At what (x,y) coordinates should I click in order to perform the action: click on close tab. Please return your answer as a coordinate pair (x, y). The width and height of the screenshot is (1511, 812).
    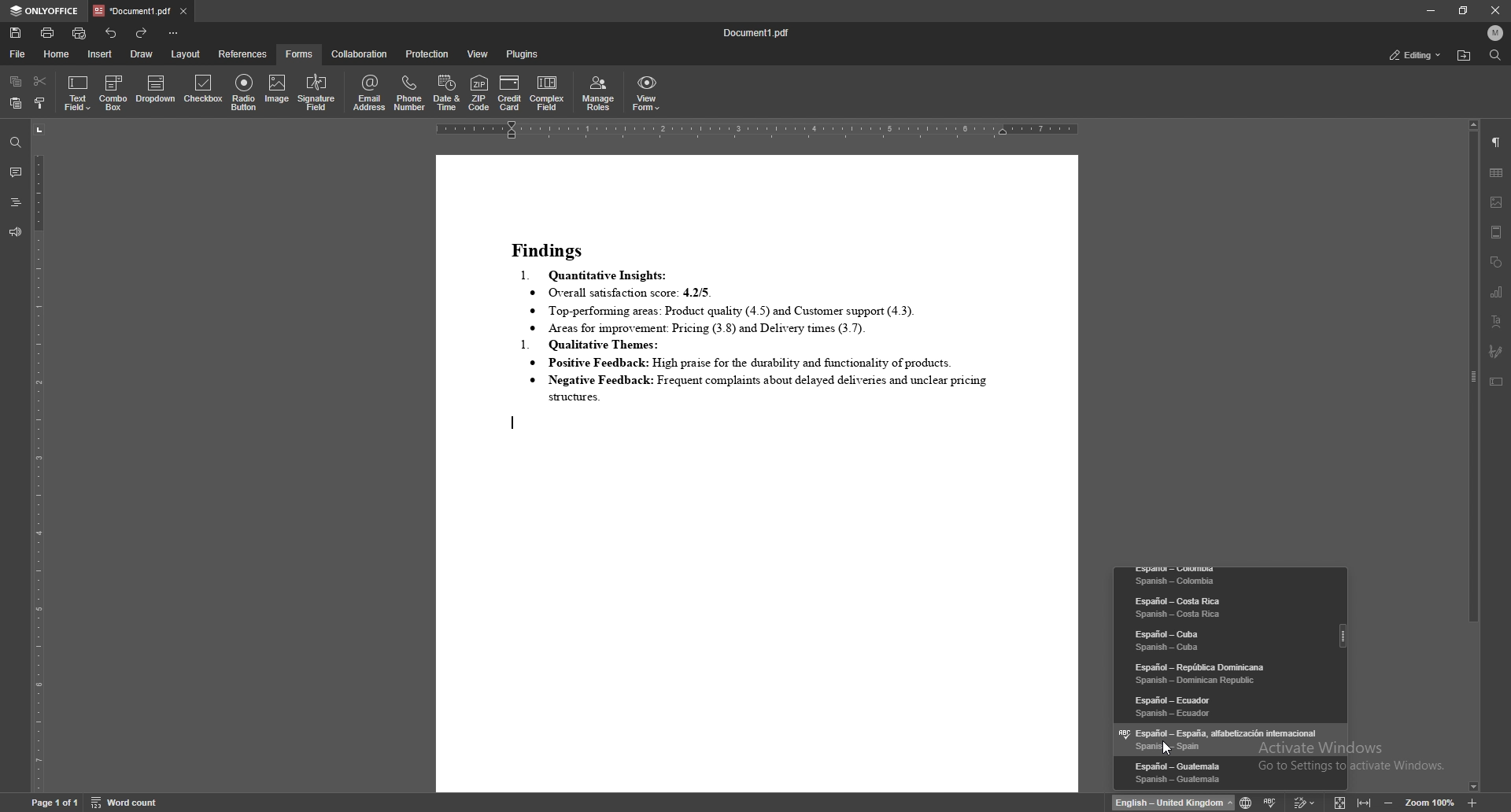
    Looking at the image, I should click on (183, 12).